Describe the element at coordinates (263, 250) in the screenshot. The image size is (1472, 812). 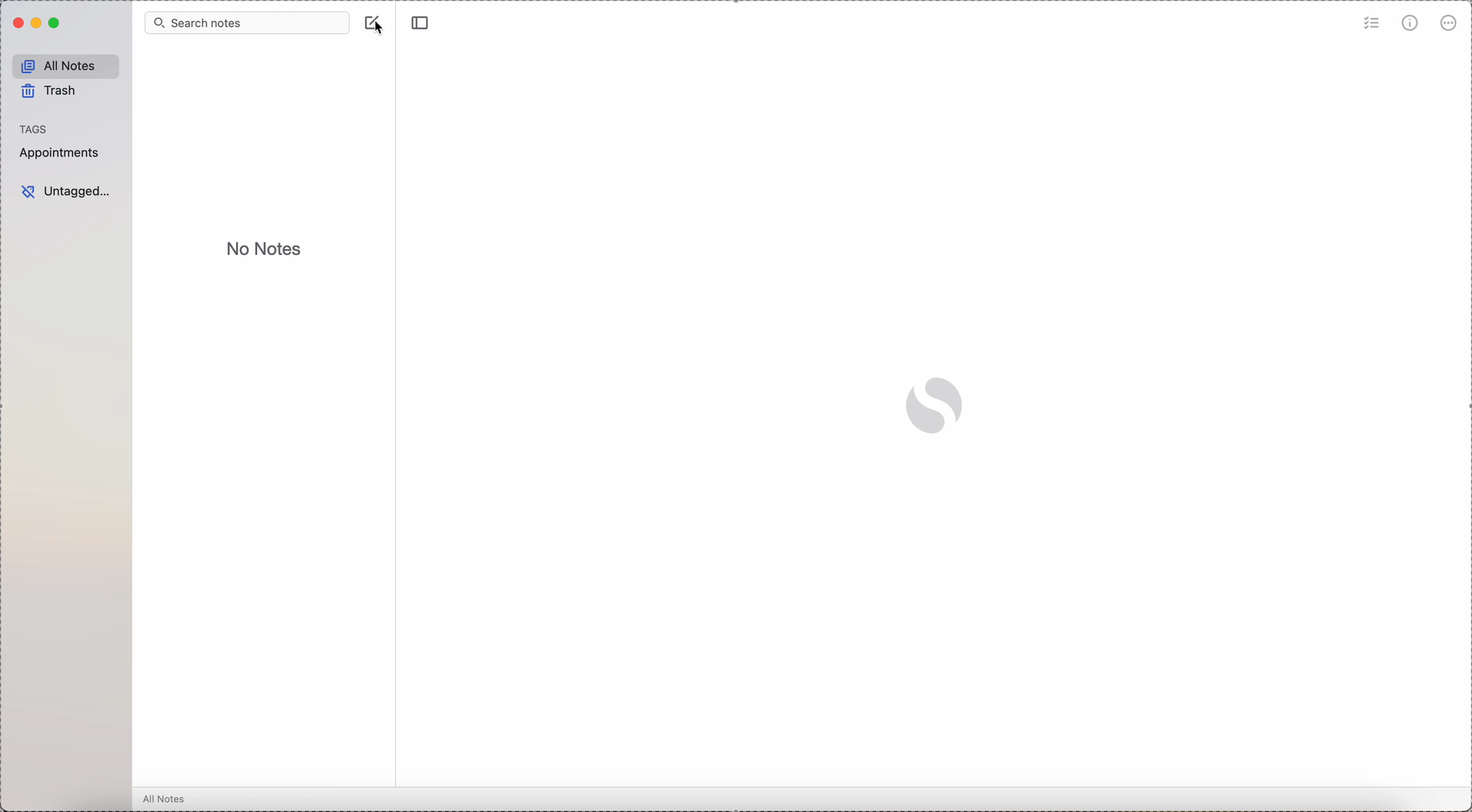
I see `no notes` at that location.